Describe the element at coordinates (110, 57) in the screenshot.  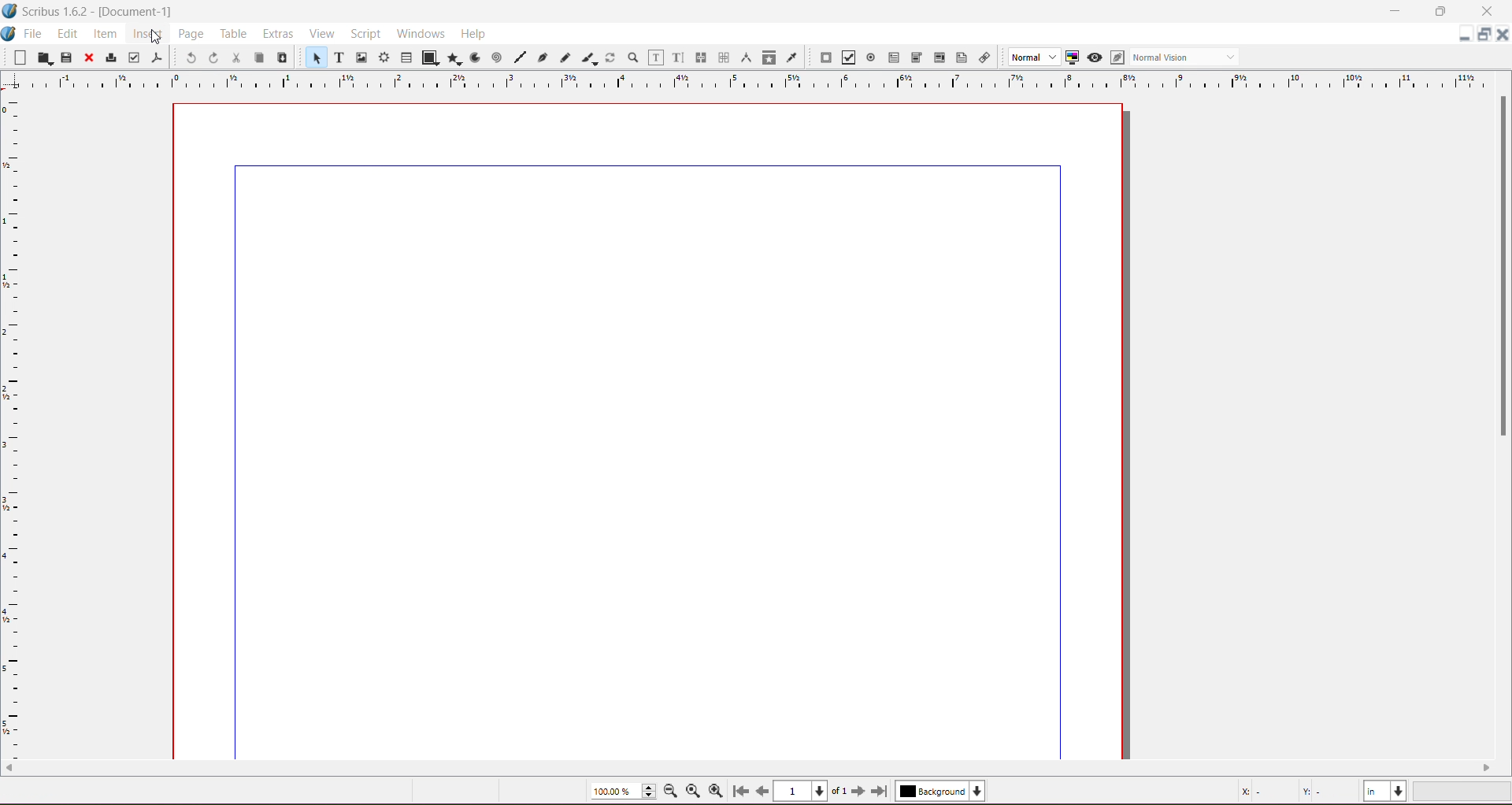
I see `Print` at that location.